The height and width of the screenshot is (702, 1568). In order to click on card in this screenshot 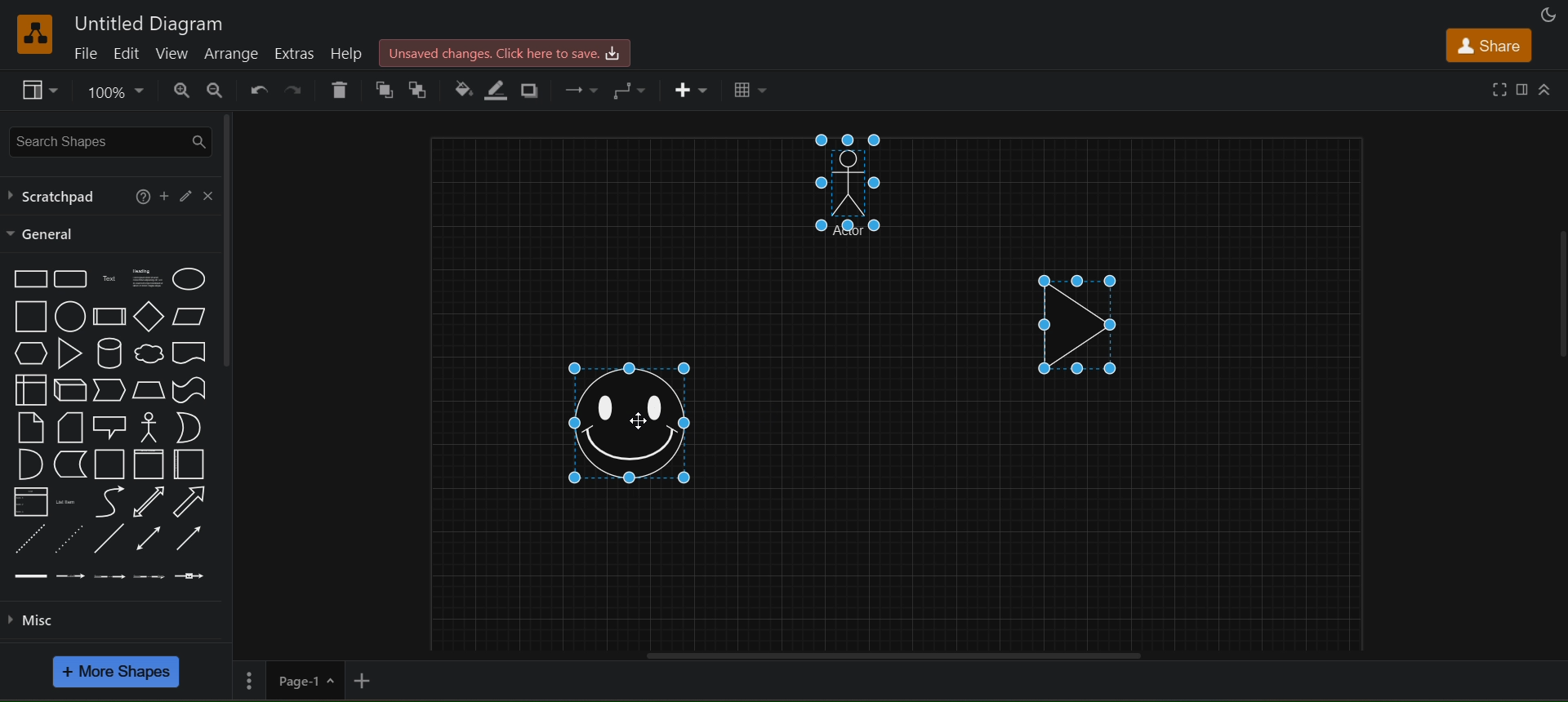, I will do `click(66, 425)`.